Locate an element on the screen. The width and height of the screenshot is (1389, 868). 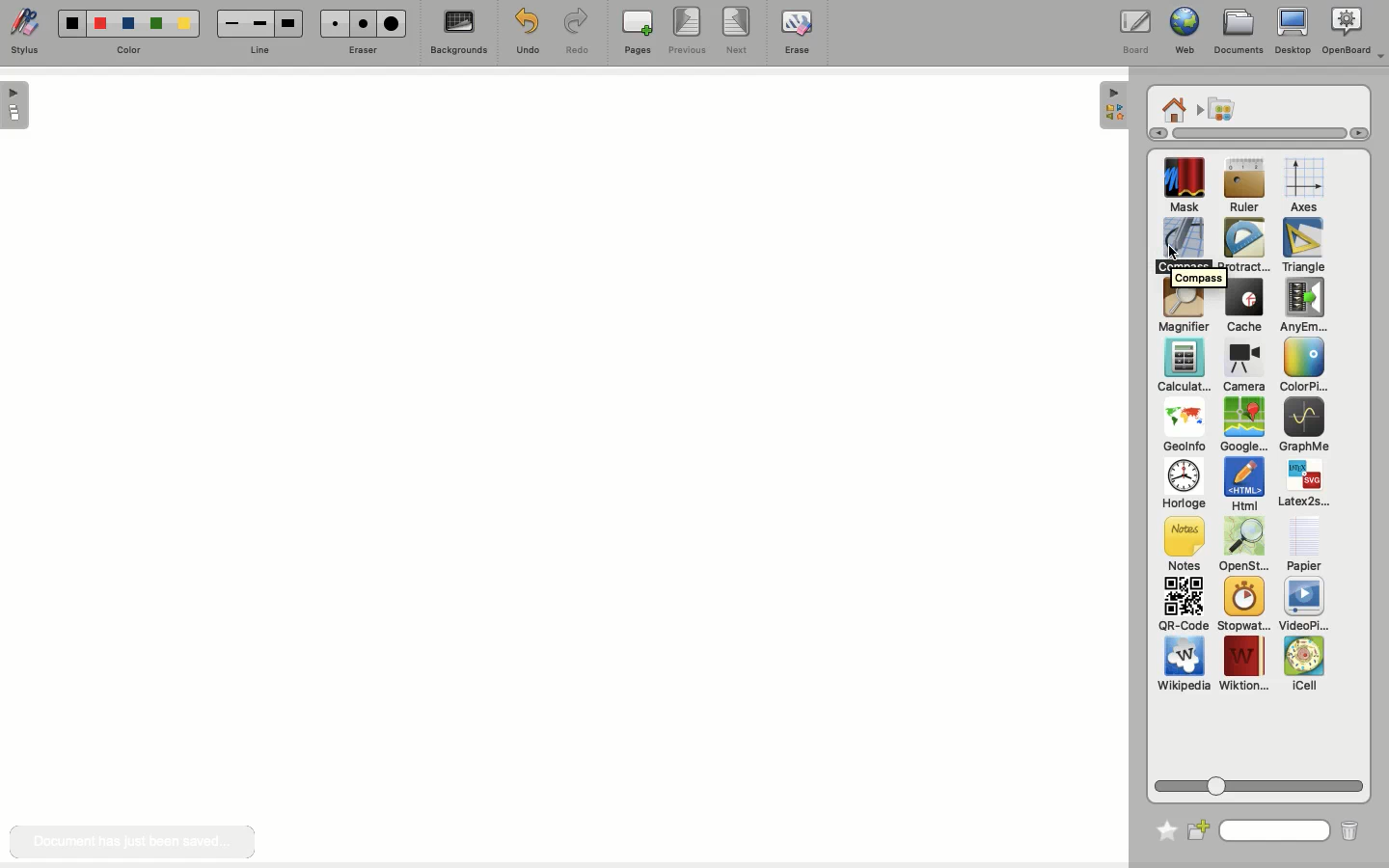
GoogleMap is located at coordinates (1243, 426).